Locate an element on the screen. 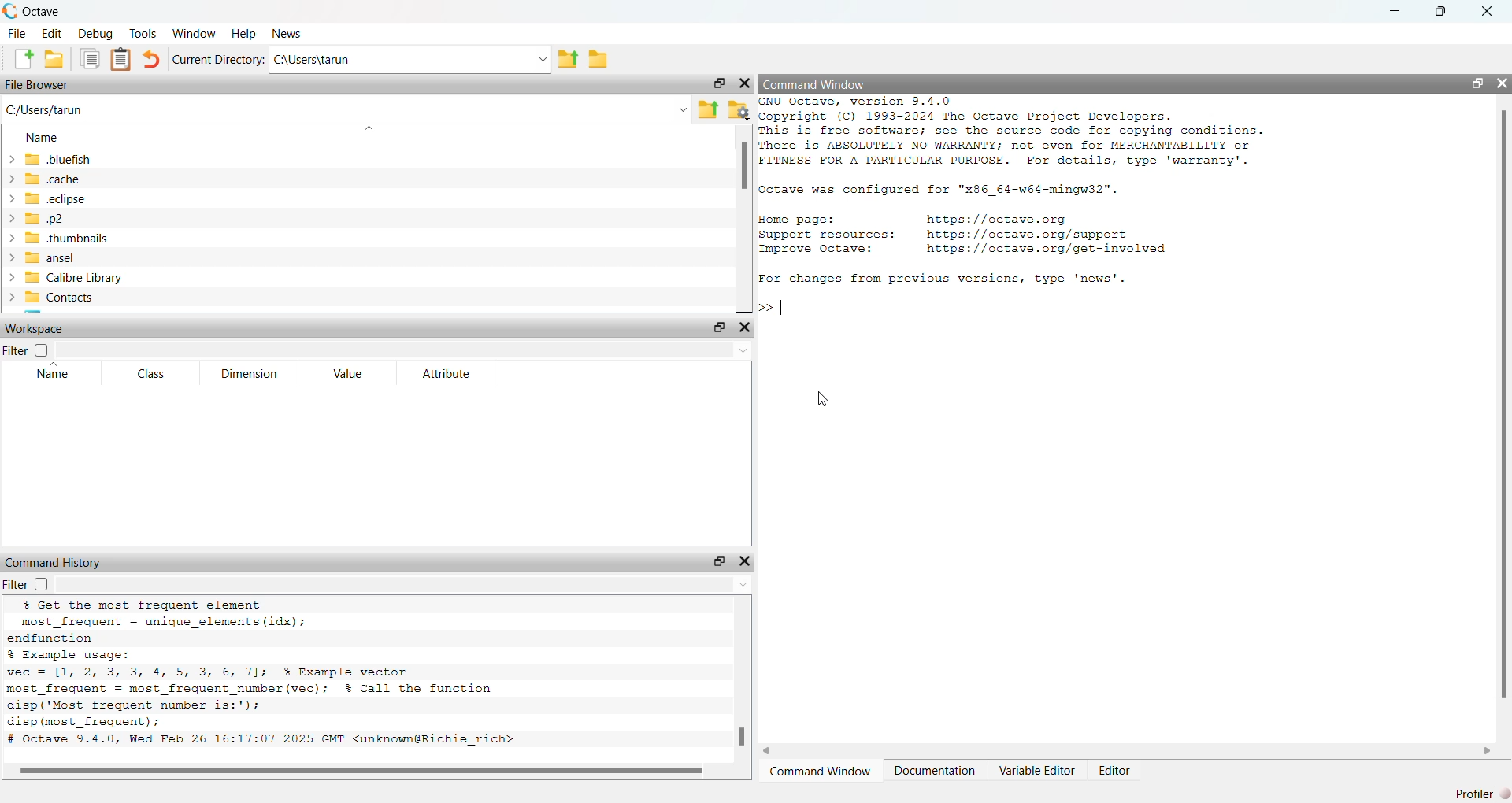 The image size is (1512, 803). close is located at coordinates (1503, 83).